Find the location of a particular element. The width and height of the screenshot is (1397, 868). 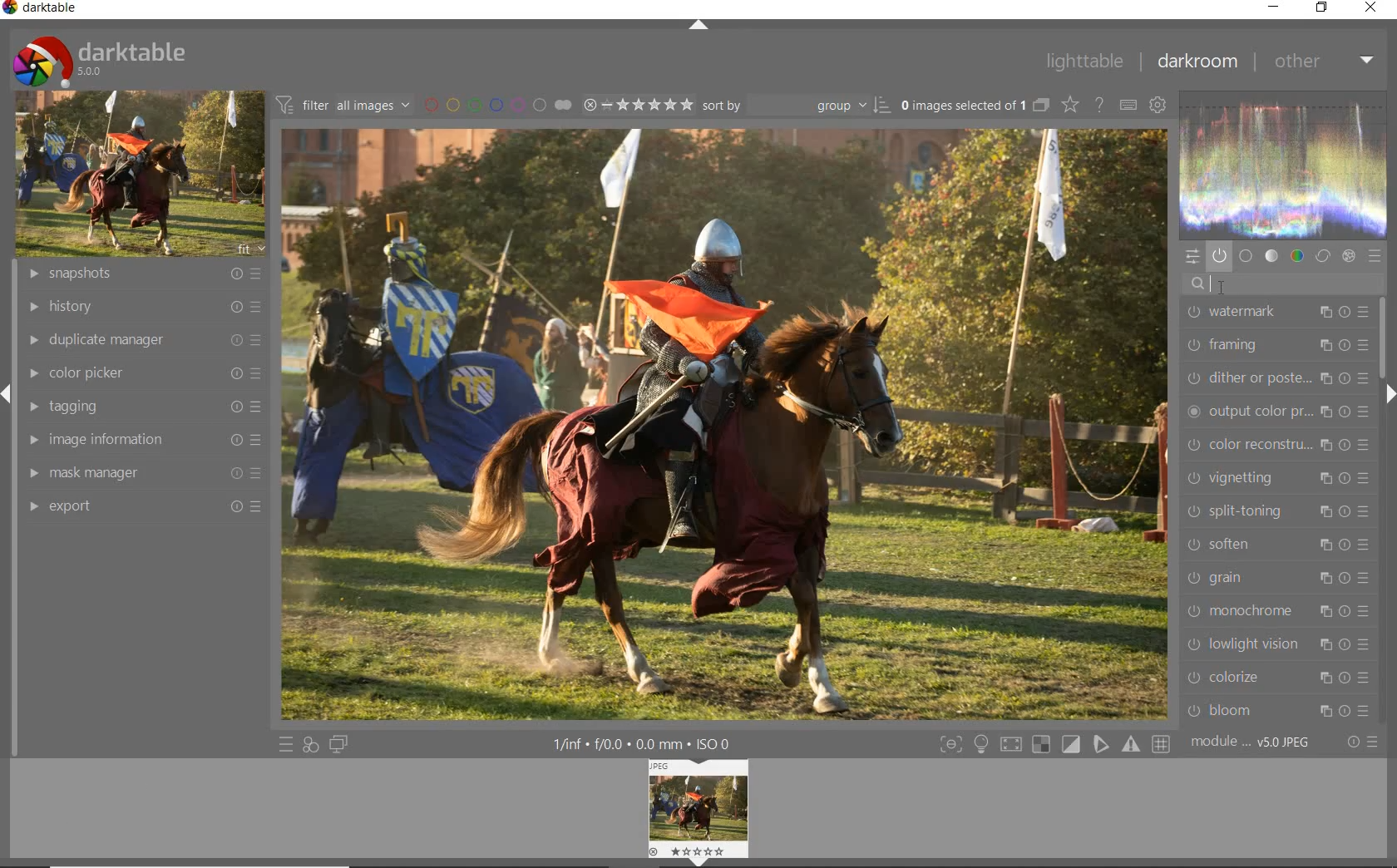

tone is located at coordinates (1272, 256).